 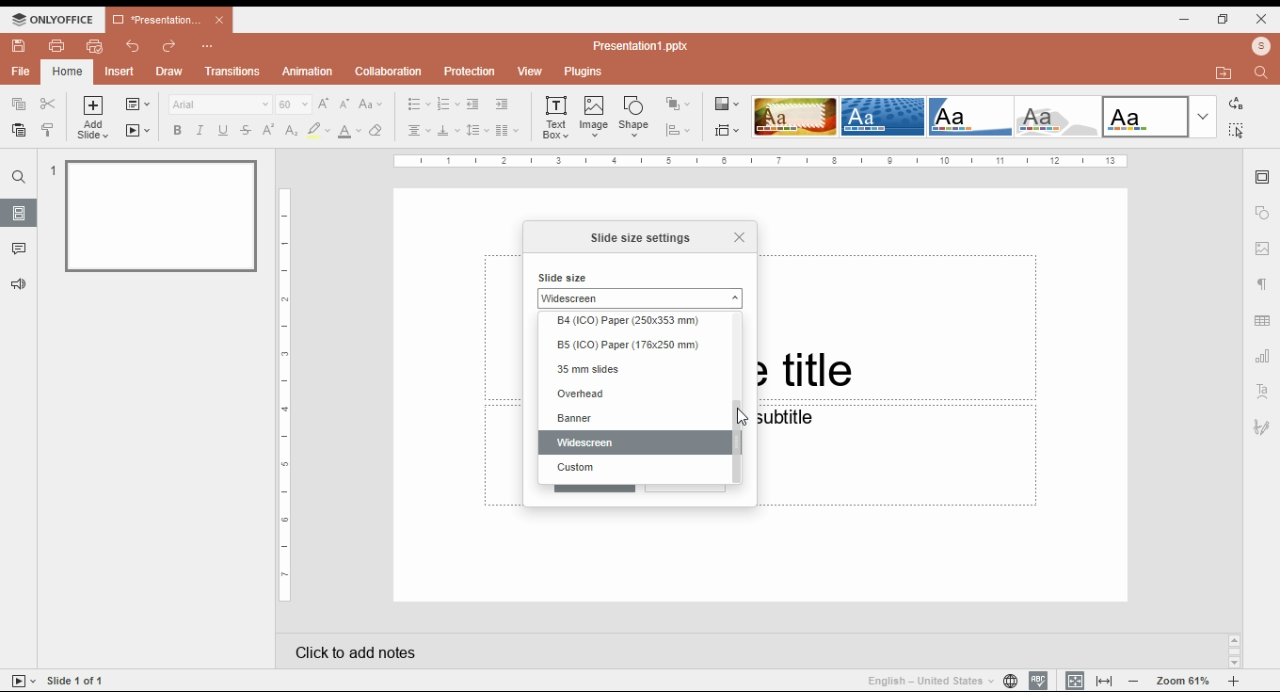 What do you see at coordinates (17, 102) in the screenshot?
I see `copy` at bounding box center [17, 102].